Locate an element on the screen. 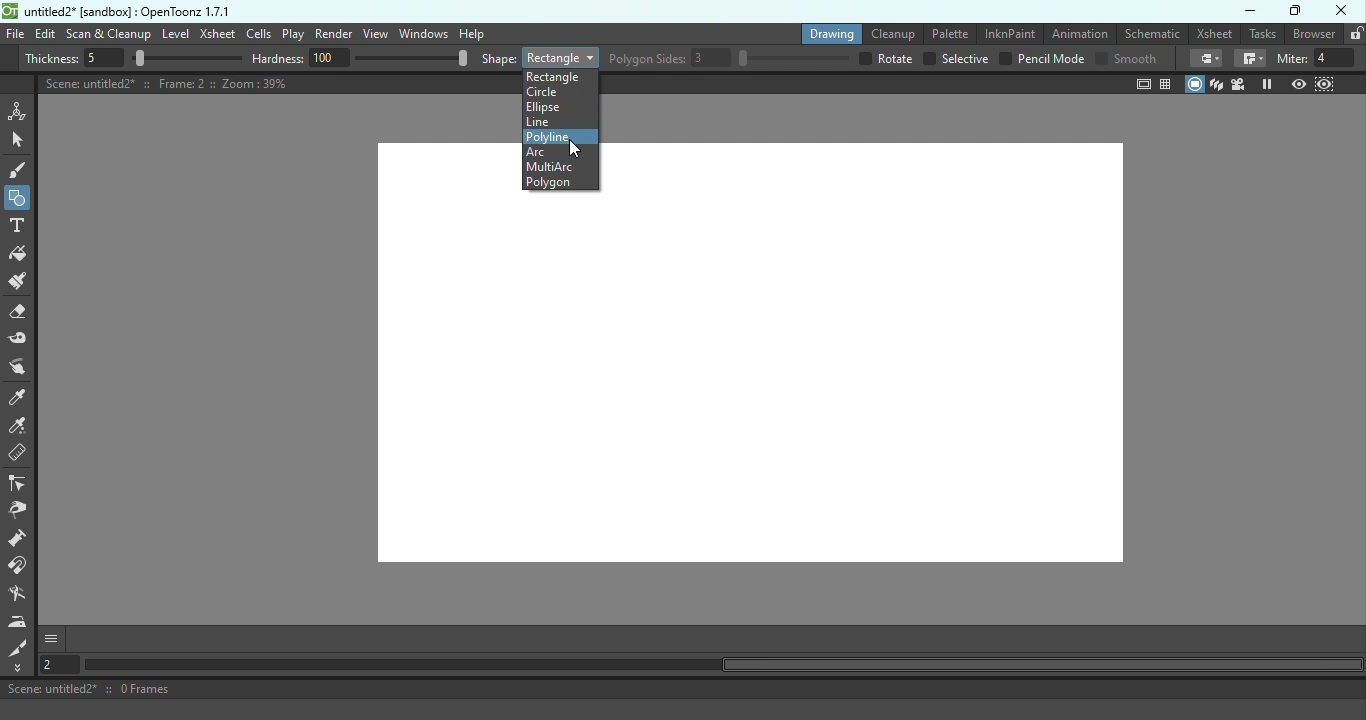 This screenshot has width=1366, height=720. Drawing is located at coordinates (828, 33).